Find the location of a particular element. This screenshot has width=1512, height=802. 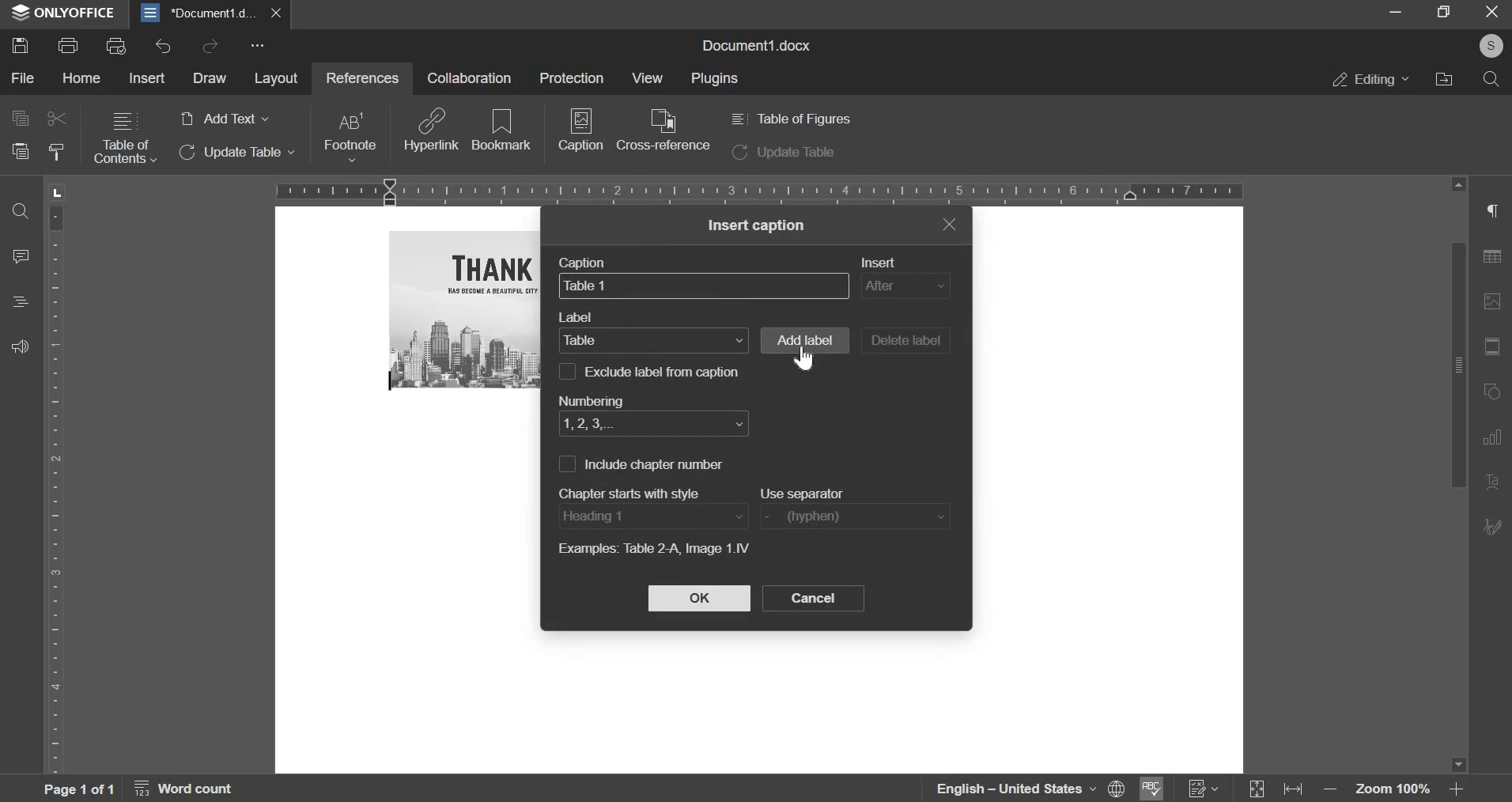

collaboration is located at coordinates (469, 78).